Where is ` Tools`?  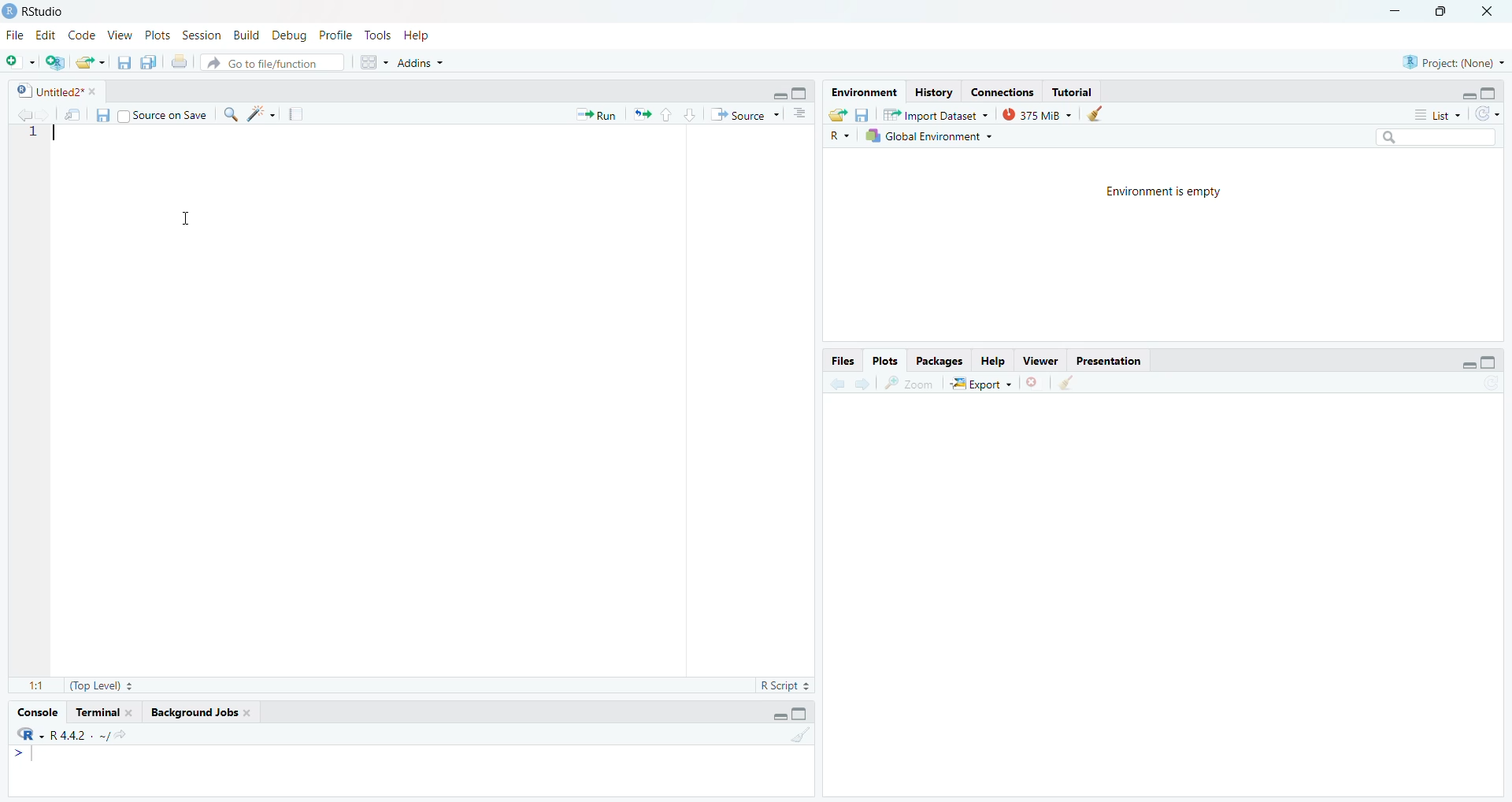
 Tools is located at coordinates (376, 35).